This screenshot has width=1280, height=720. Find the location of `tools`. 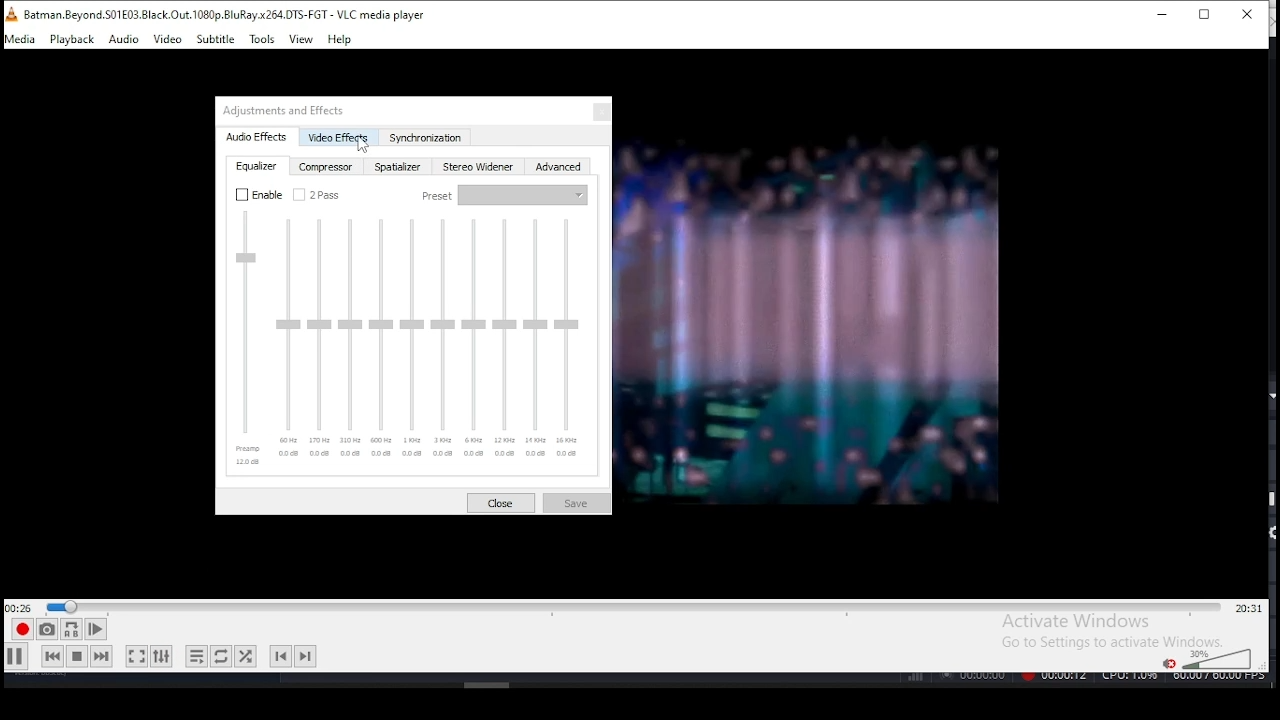

tools is located at coordinates (262, 39).